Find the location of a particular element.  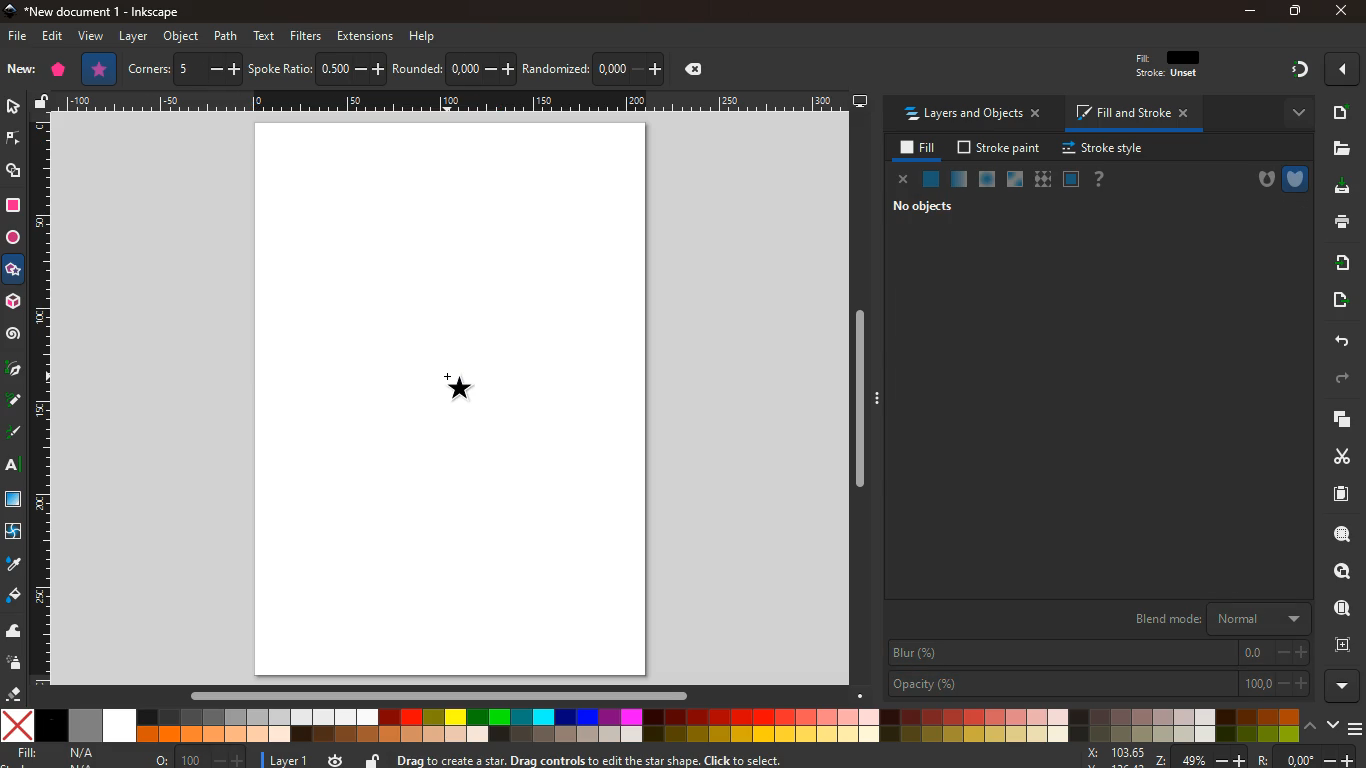

up is located at coordinates (1310, 725).